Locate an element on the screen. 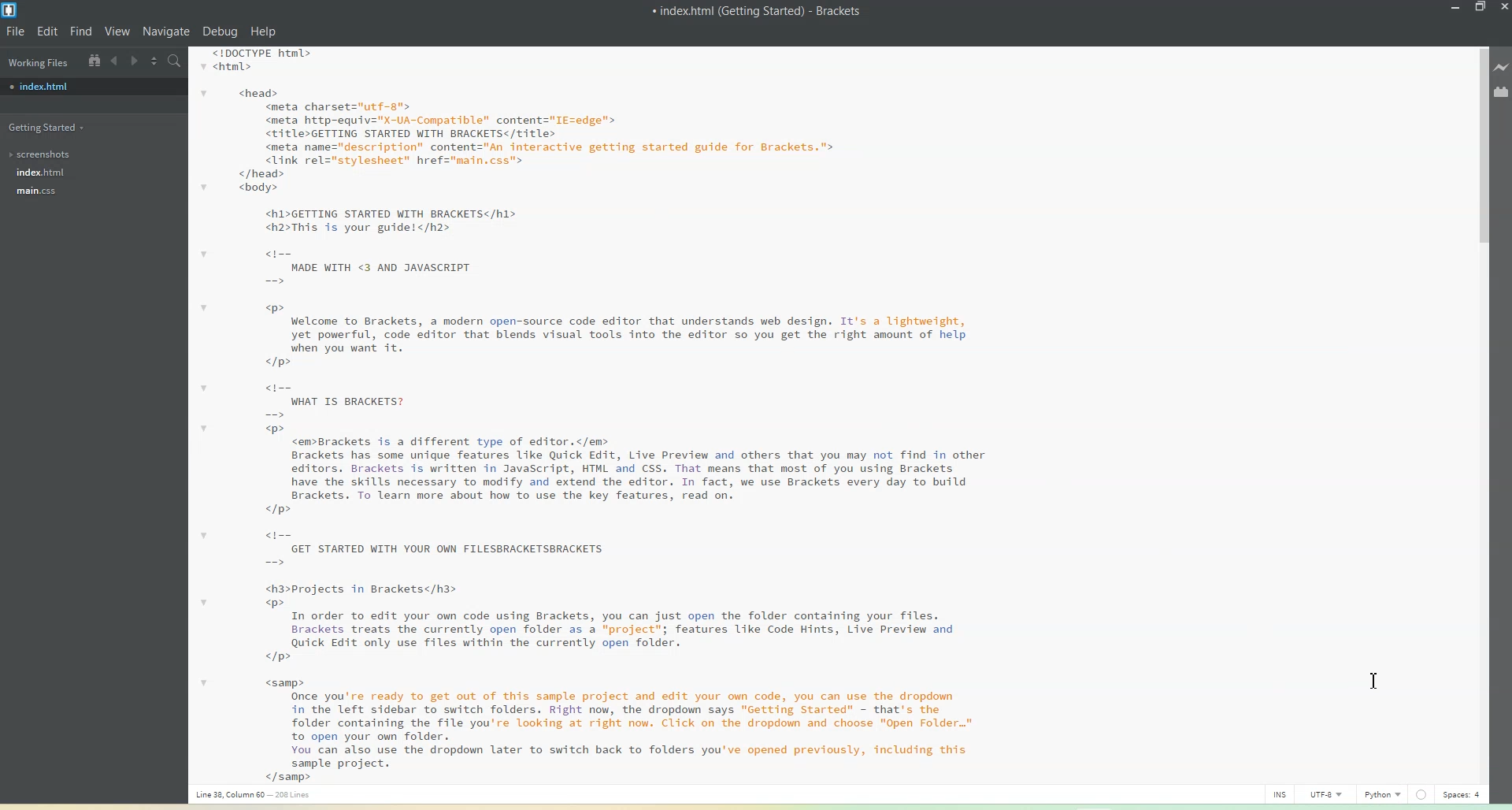 Image resolution: width=1512 pixels, height=810 pixels. Split the editor vertically or Horizontally is located at coordinates (154, 60).